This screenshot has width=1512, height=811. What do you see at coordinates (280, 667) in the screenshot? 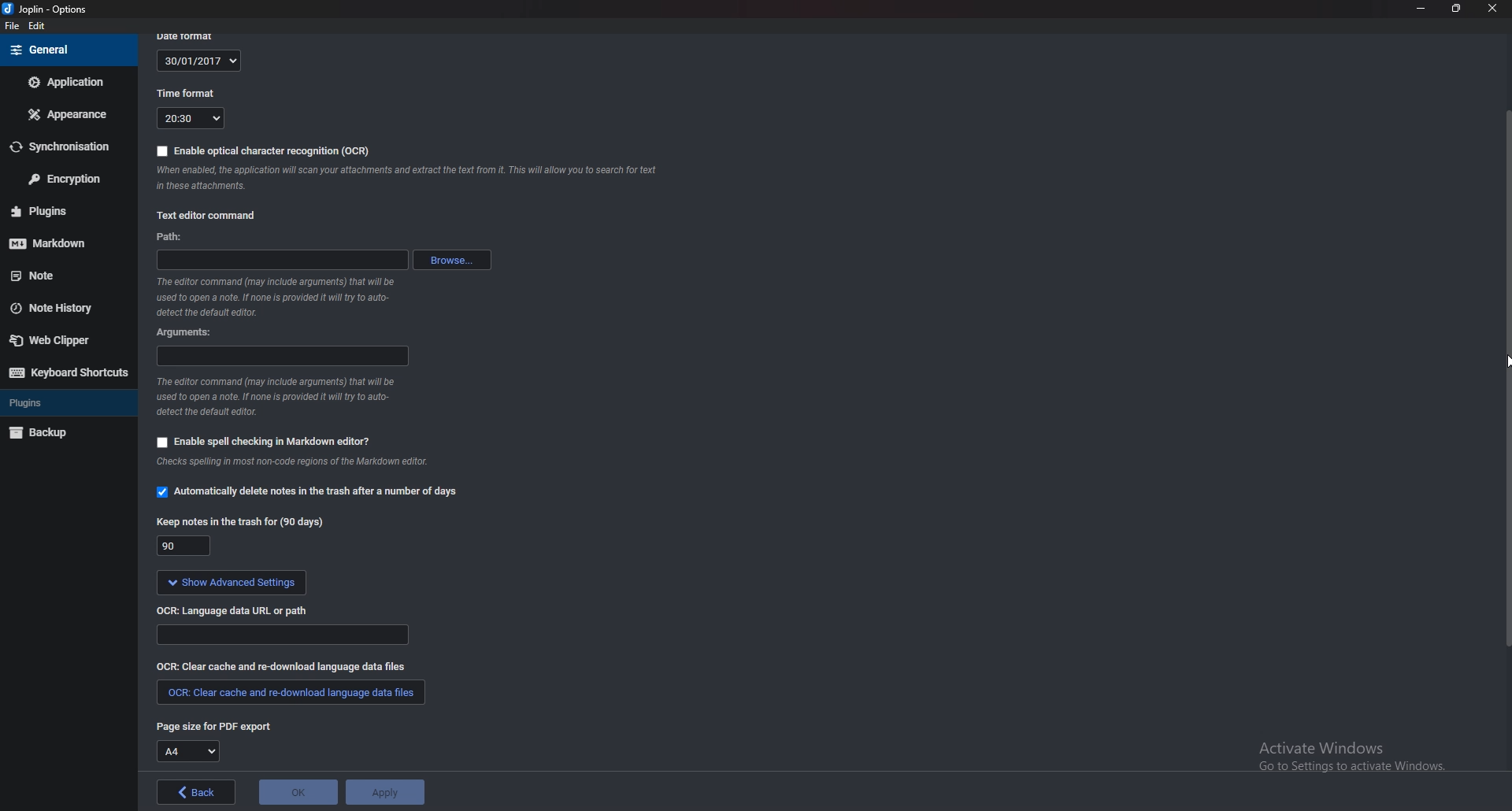
I see `clear cache and redownload language data` at bounding box center [280, 667].